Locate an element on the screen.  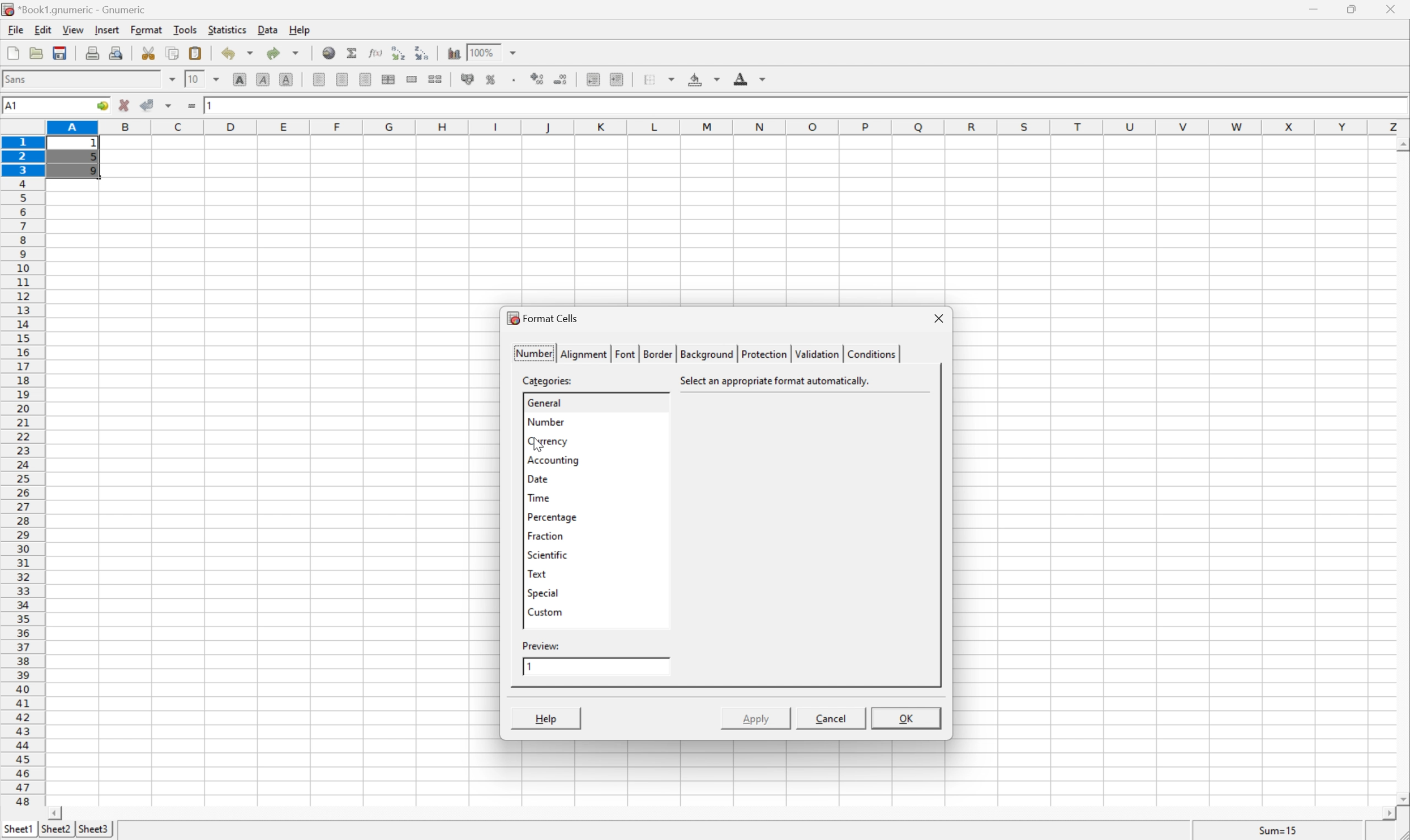
custom is located at coordinates (545, 611).